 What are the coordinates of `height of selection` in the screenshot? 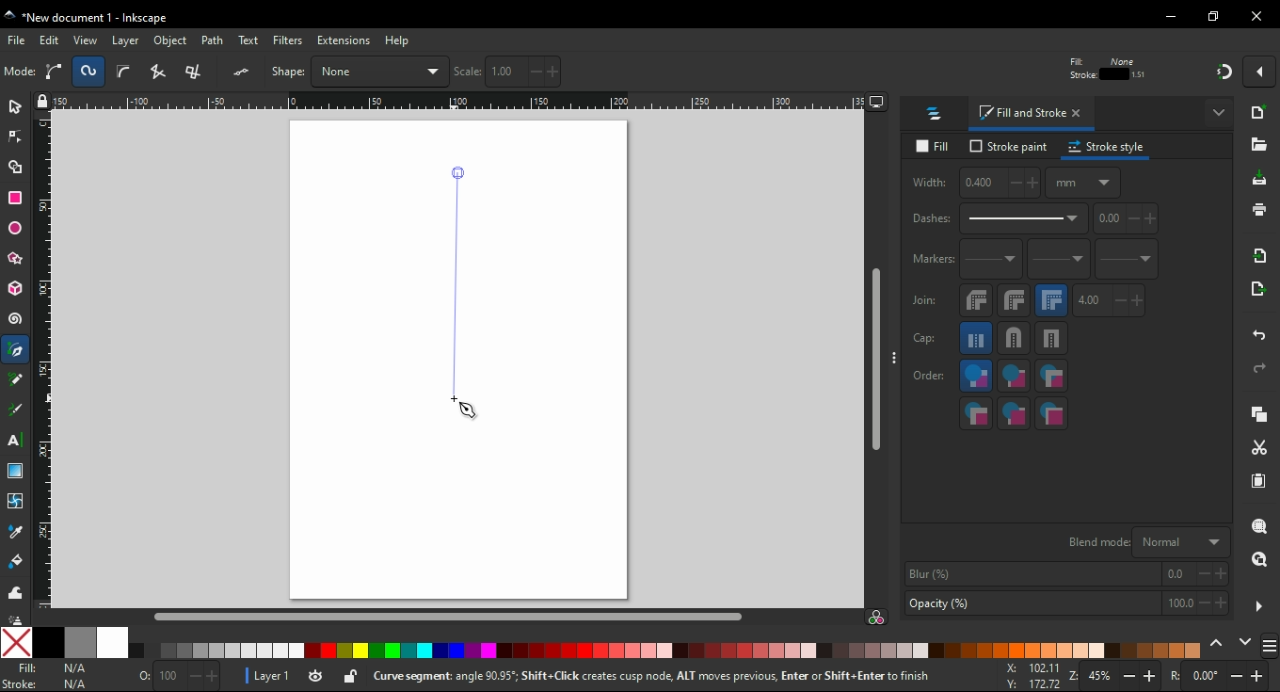 It's located at (920, 71).